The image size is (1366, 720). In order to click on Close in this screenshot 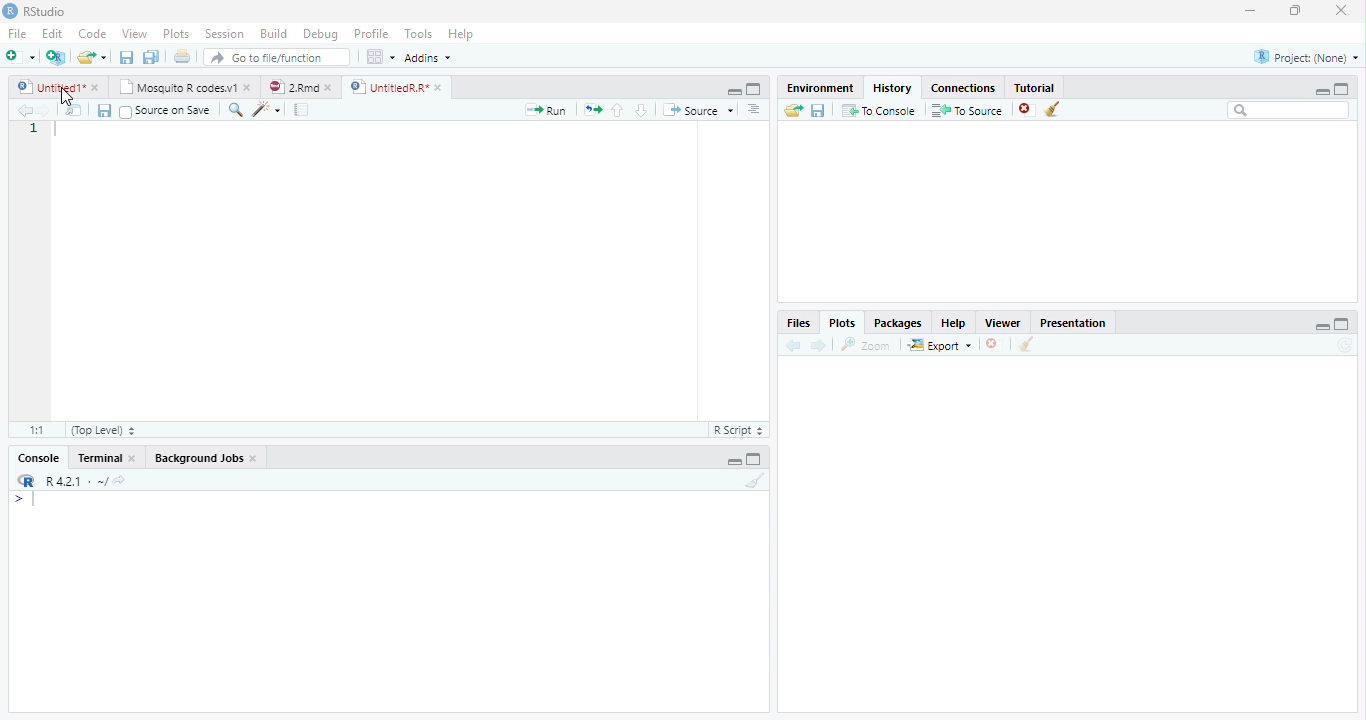, I will do `click(1336, 12)`.